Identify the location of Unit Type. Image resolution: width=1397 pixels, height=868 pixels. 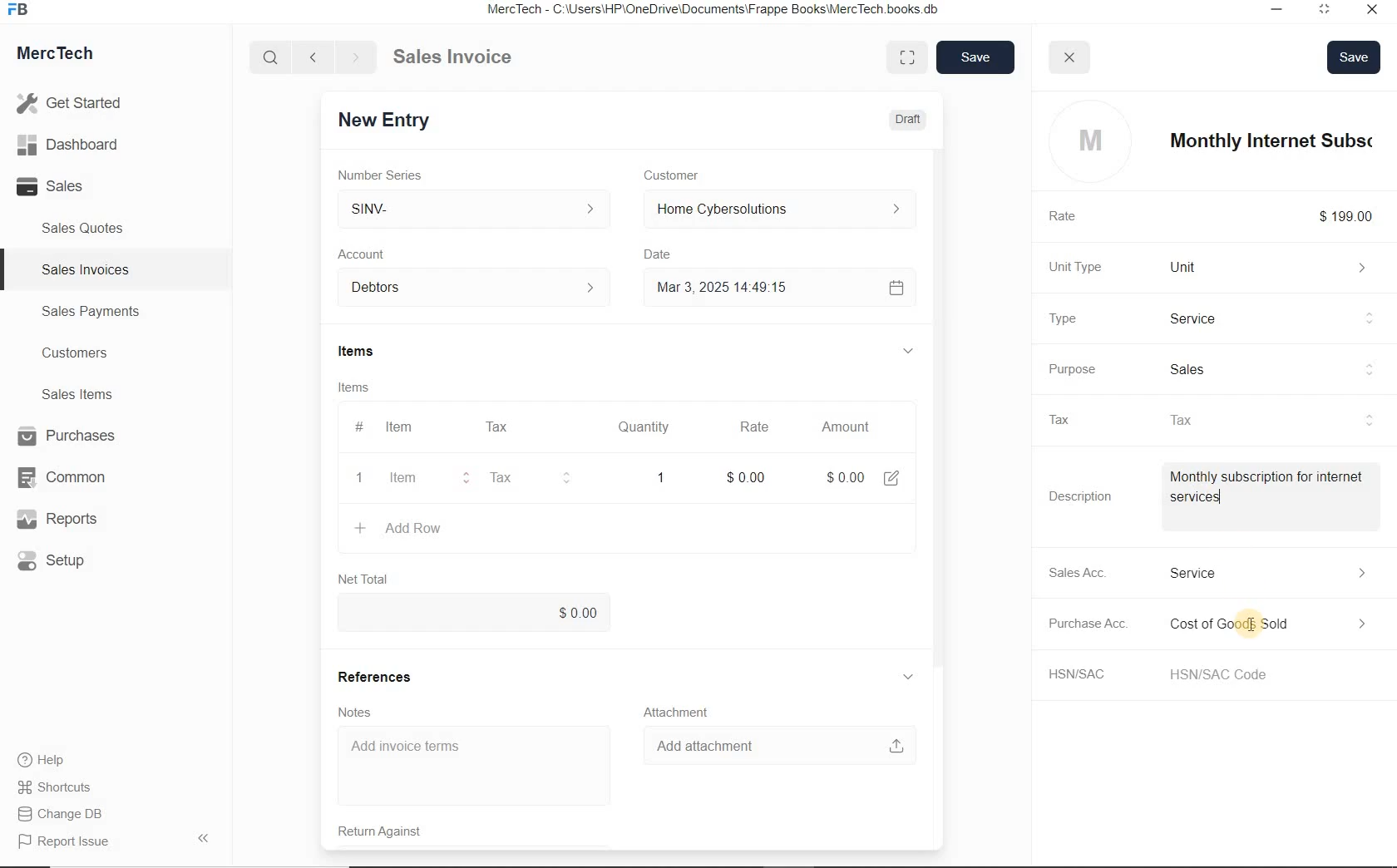
(1071, 267).